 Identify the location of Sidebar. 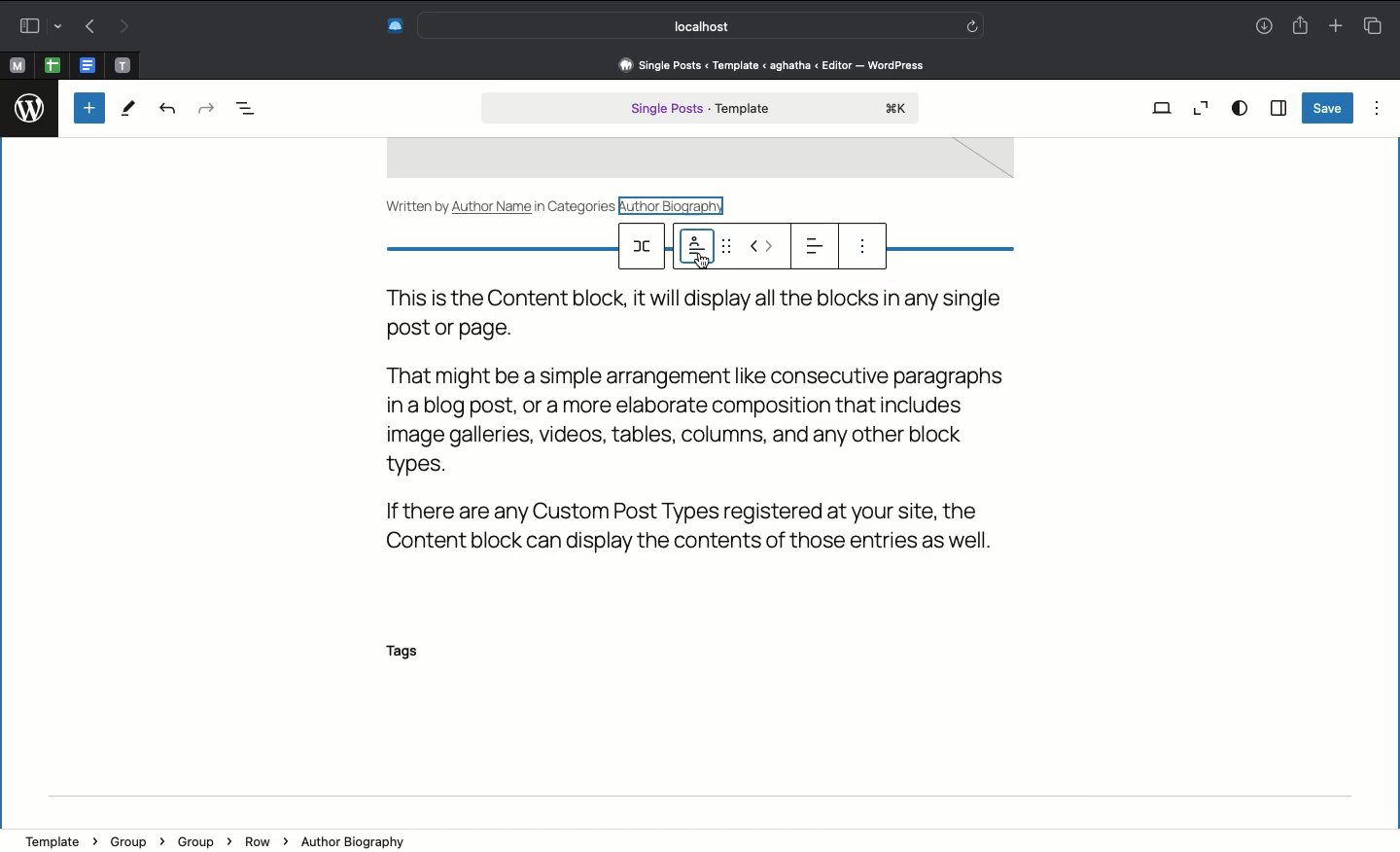
(36, 26).